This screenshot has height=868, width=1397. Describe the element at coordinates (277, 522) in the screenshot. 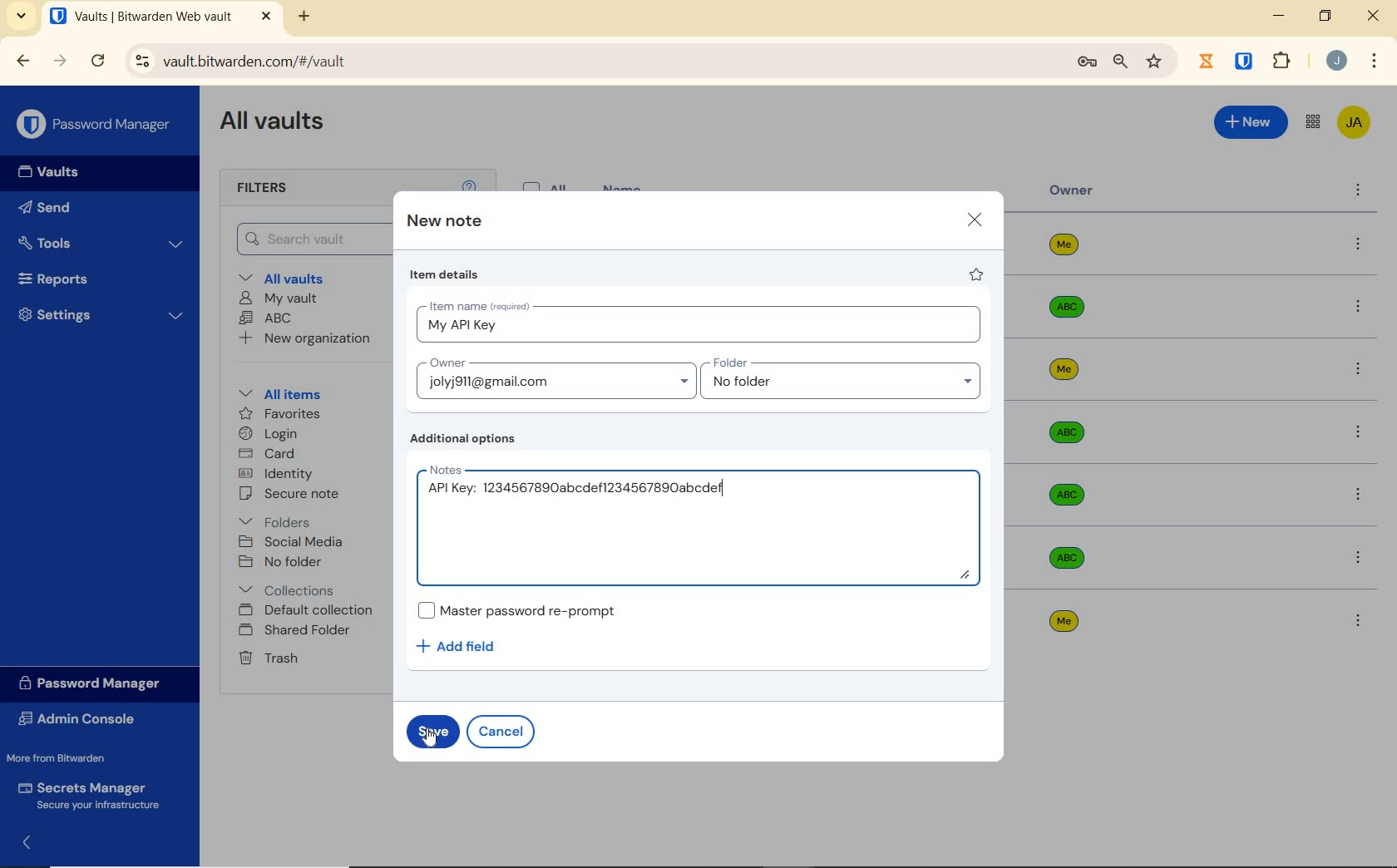

I see `folders` at that location.